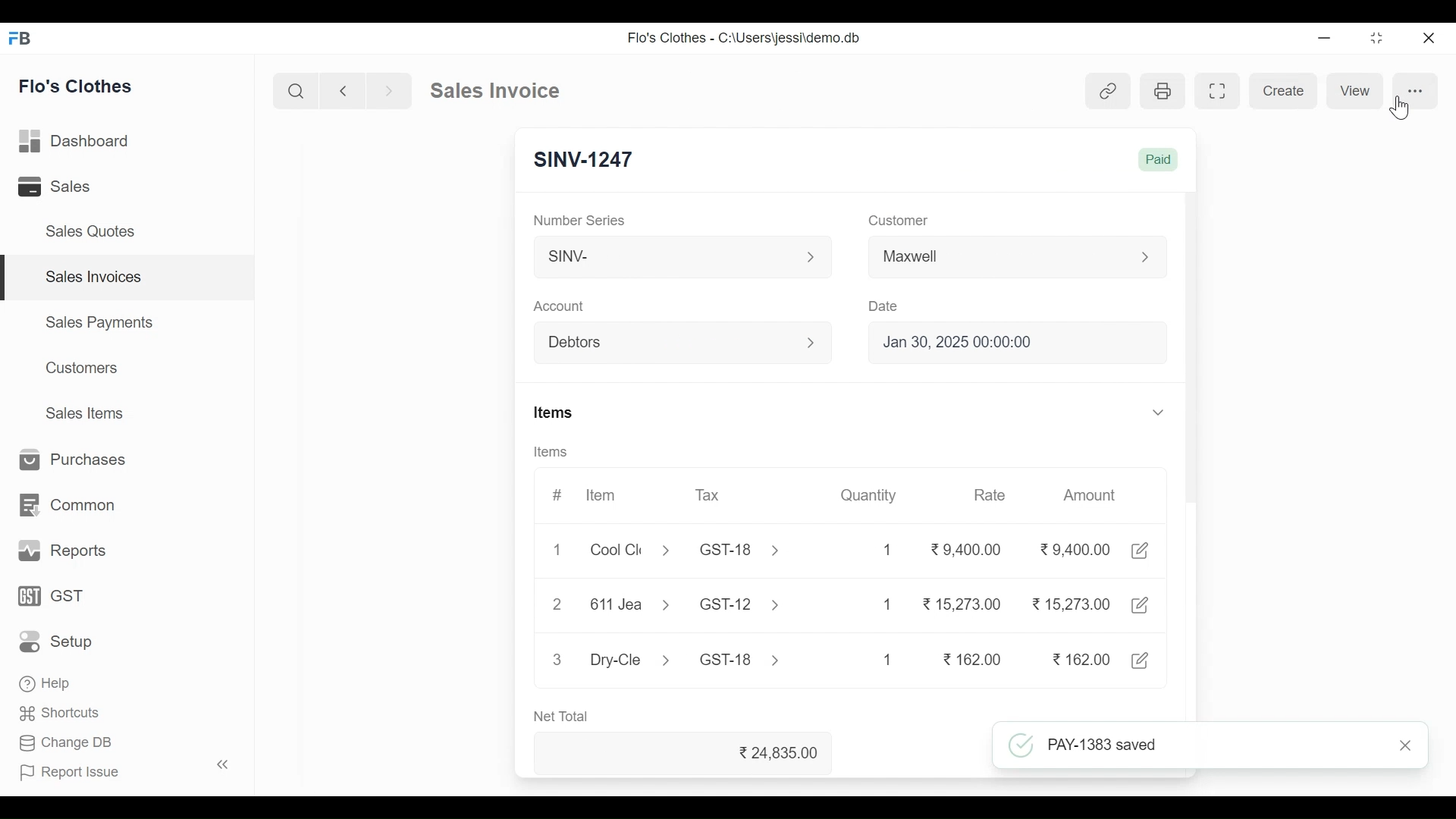  What do you see at coordinates (61, 716) in the screenshot?
I see `Shortcuts` at bounding box center [61, 716].